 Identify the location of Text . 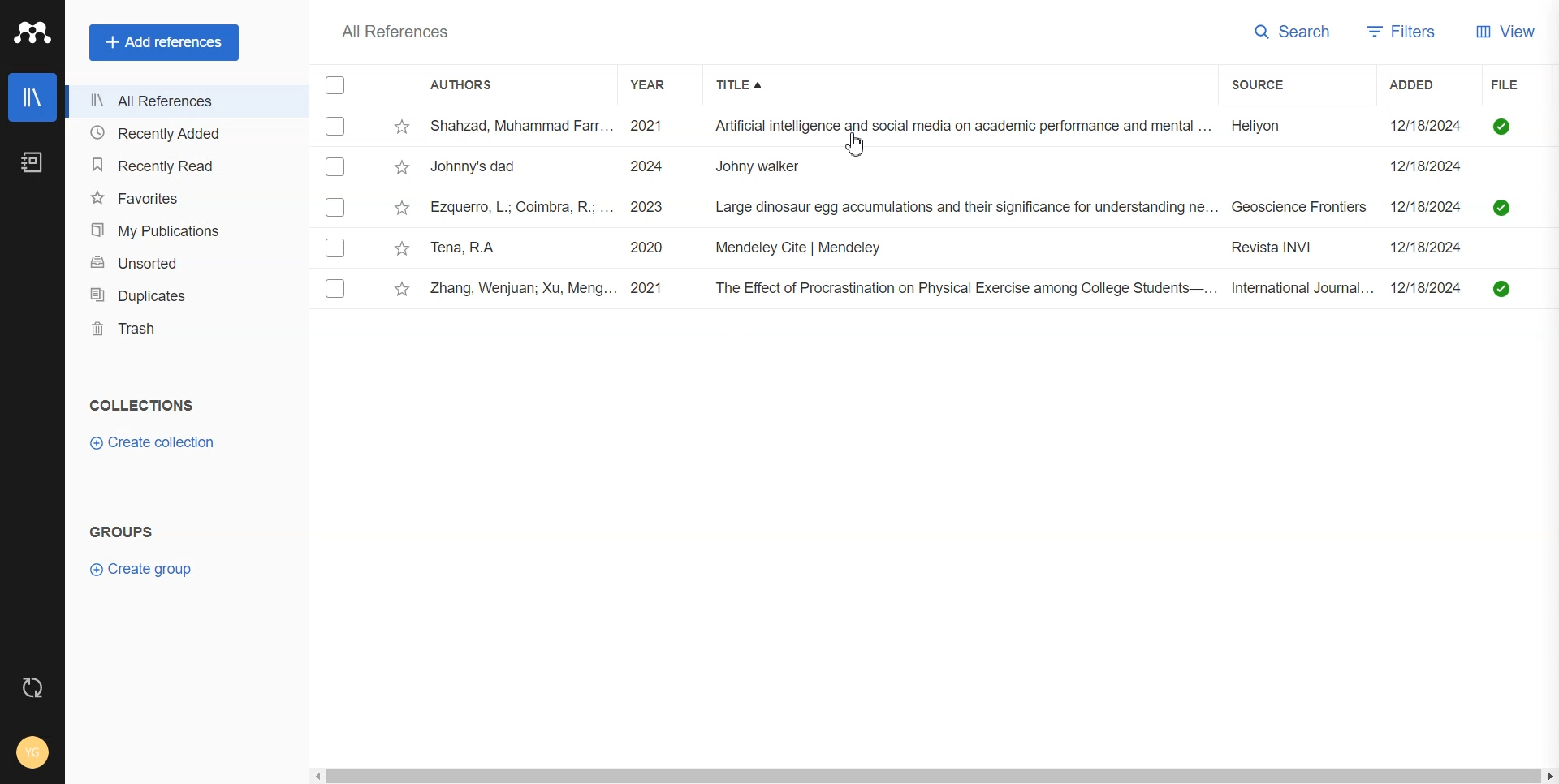
(124, 532).